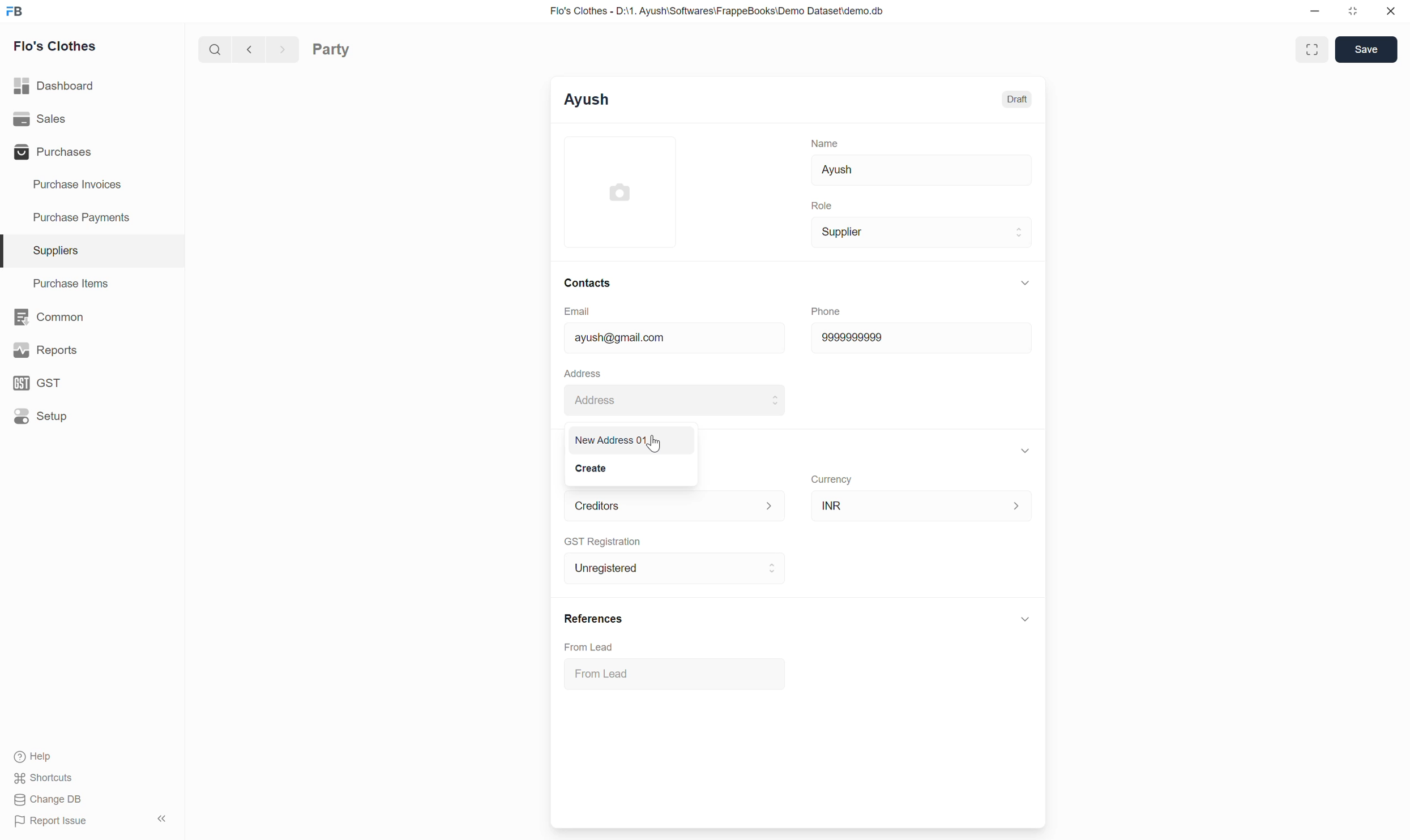 The width and height of the screenshot is (1410, 840). I want to click on Frappe Books logo, so click(14, 11).